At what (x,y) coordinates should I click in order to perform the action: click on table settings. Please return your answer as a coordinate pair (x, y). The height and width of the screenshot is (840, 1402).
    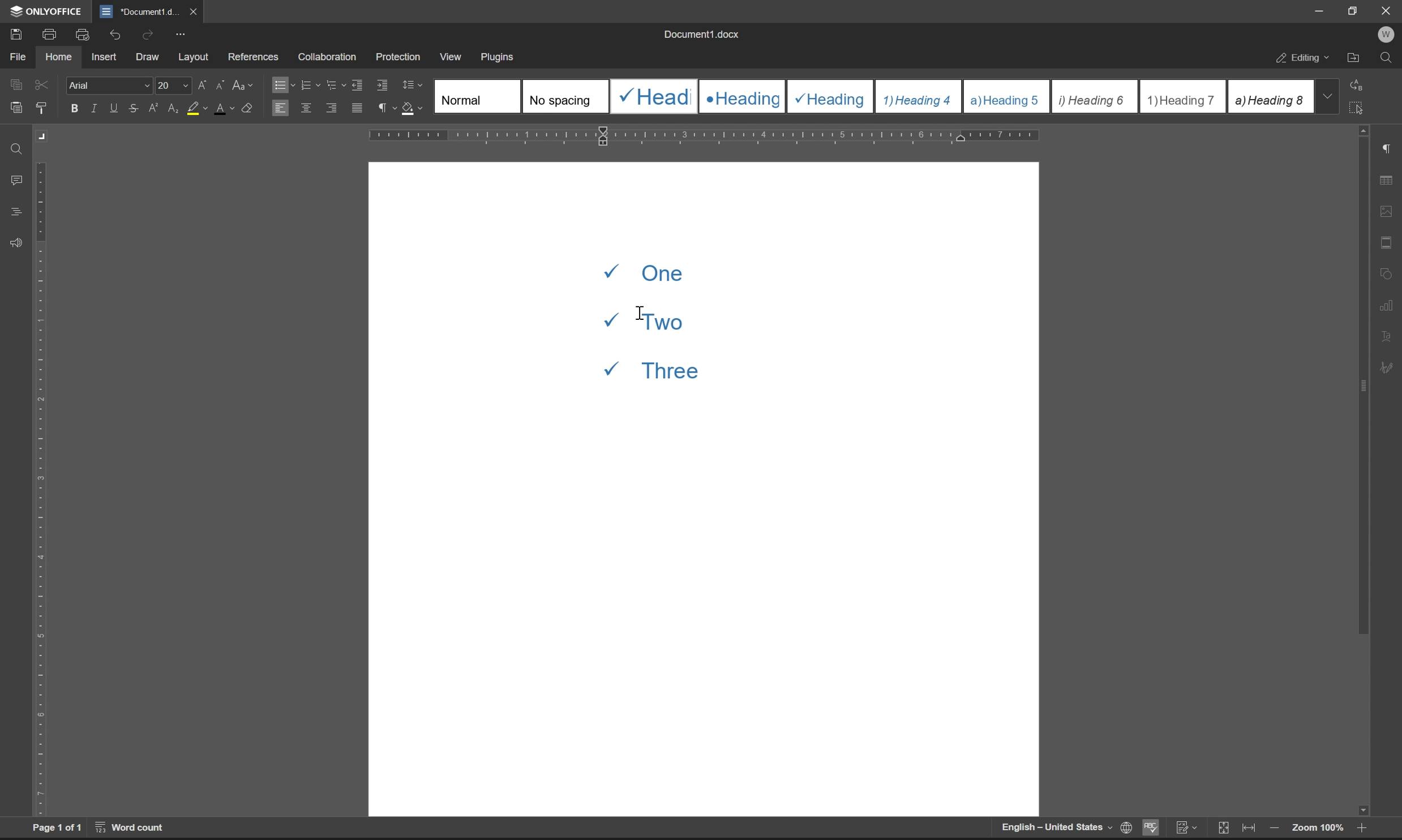
    Looking at the image, I should click on (1386, 181).